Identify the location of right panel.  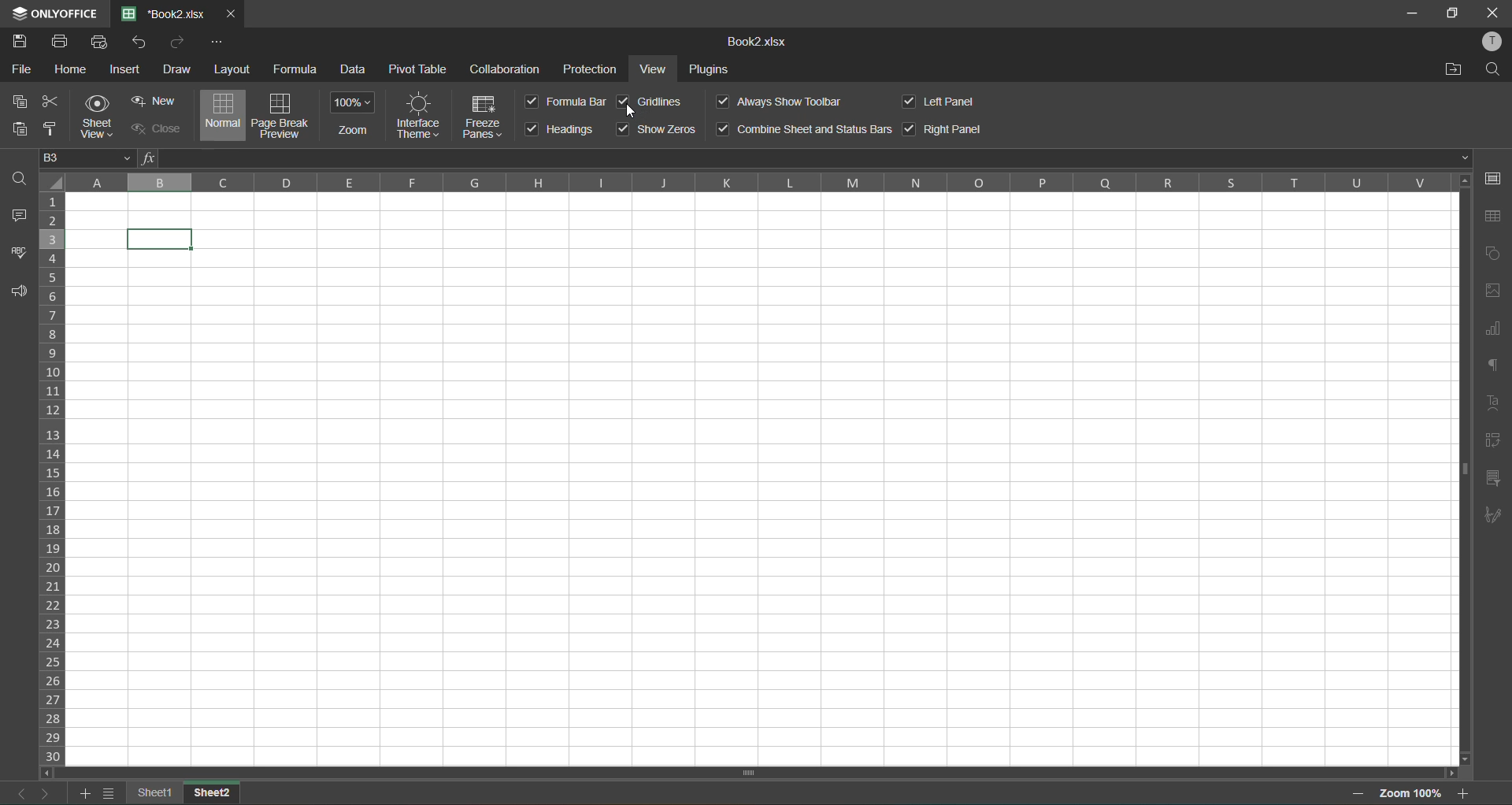
(944, 127).